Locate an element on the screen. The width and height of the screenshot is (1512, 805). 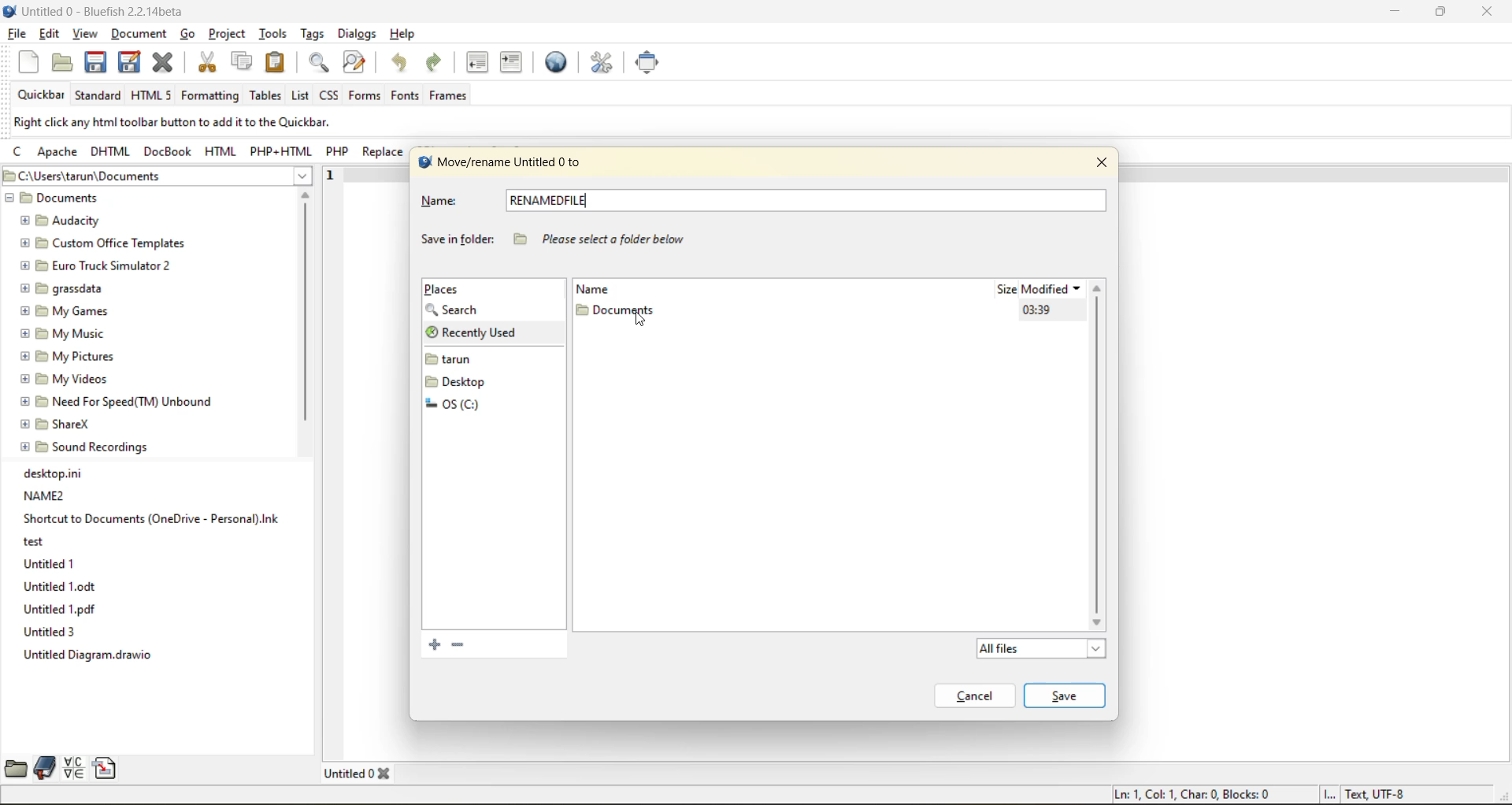
formatting is located at coordinates (211, 97).